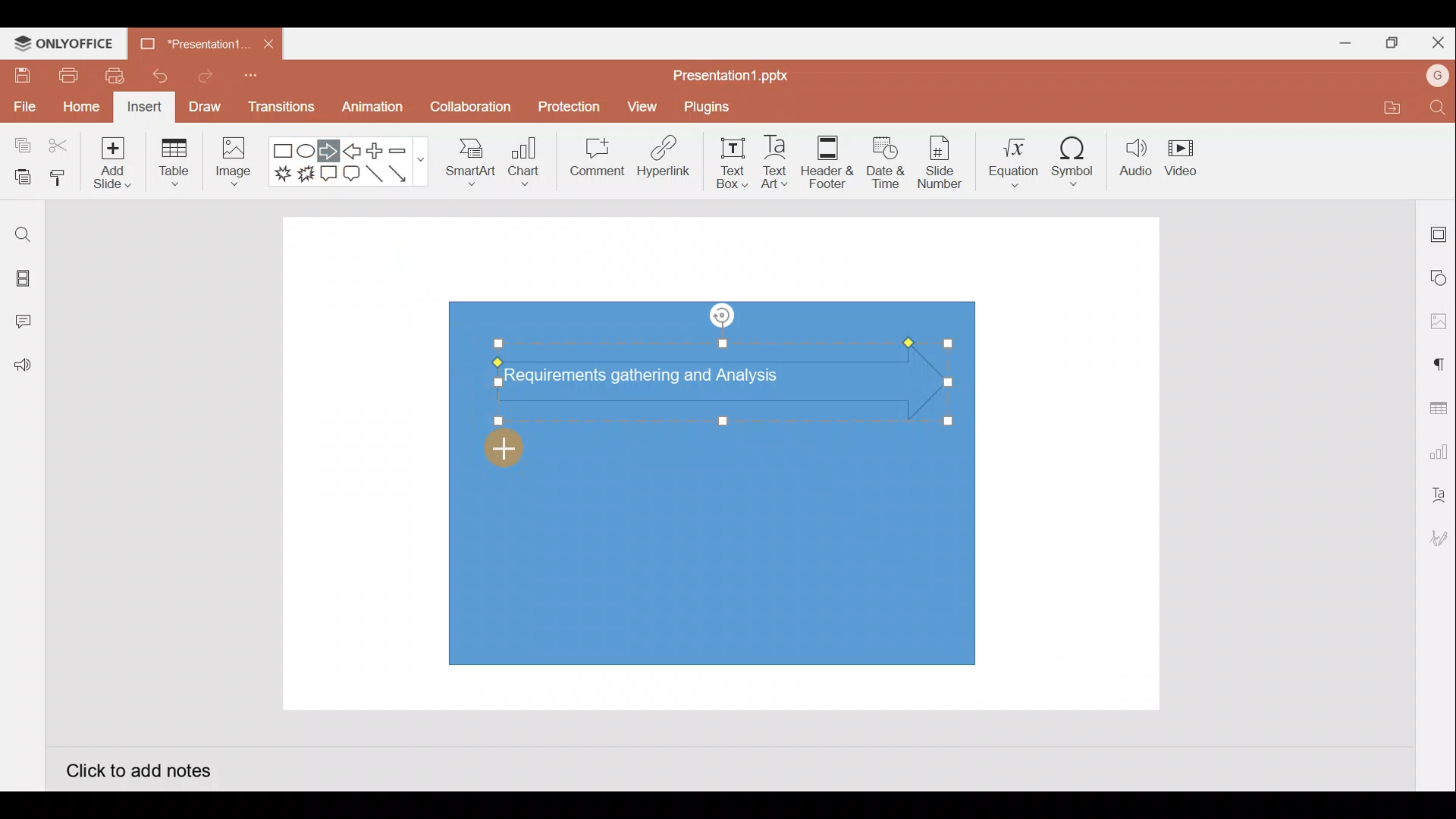  I want to click on Print file, so click(67, 74).